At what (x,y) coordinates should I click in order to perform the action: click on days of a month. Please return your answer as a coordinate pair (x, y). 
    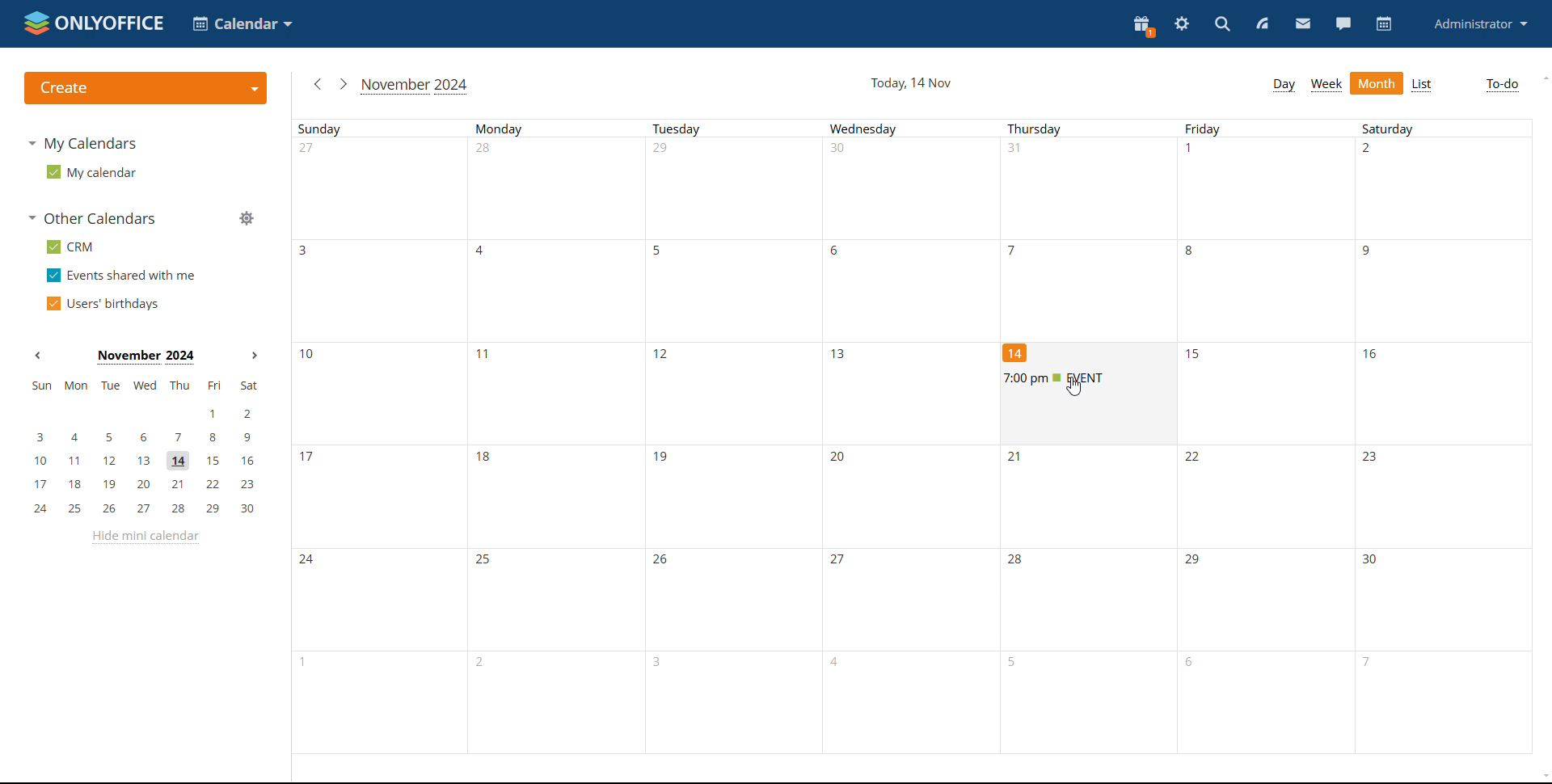
    Looking at the image, I should click on (453, 446).